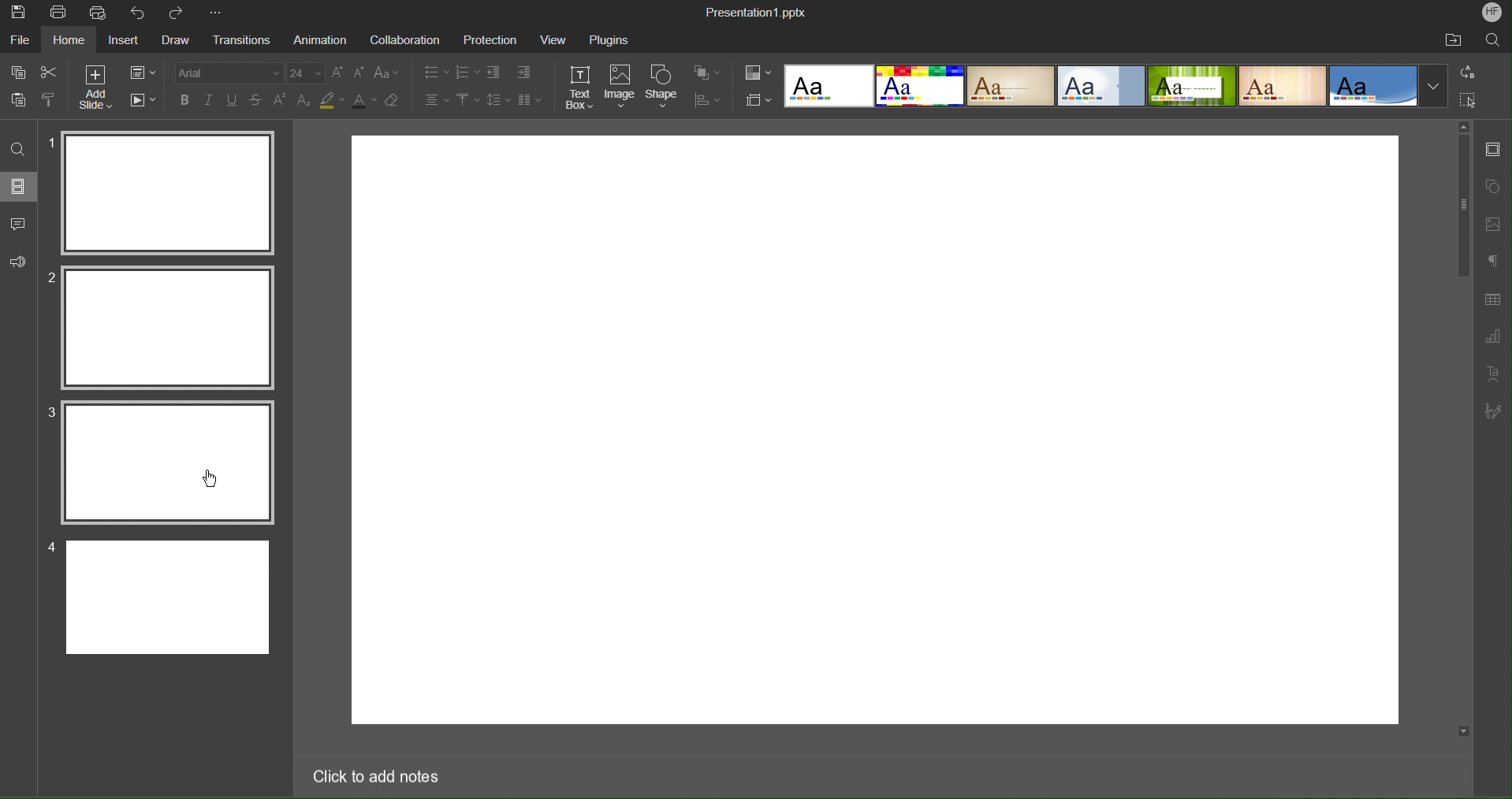 Image resolution: width=1512 pixels, height=799 pixels. What do you see at coordinates (17, 13) in the screenshot?
I see `Save` at bounding box center [17, 13].